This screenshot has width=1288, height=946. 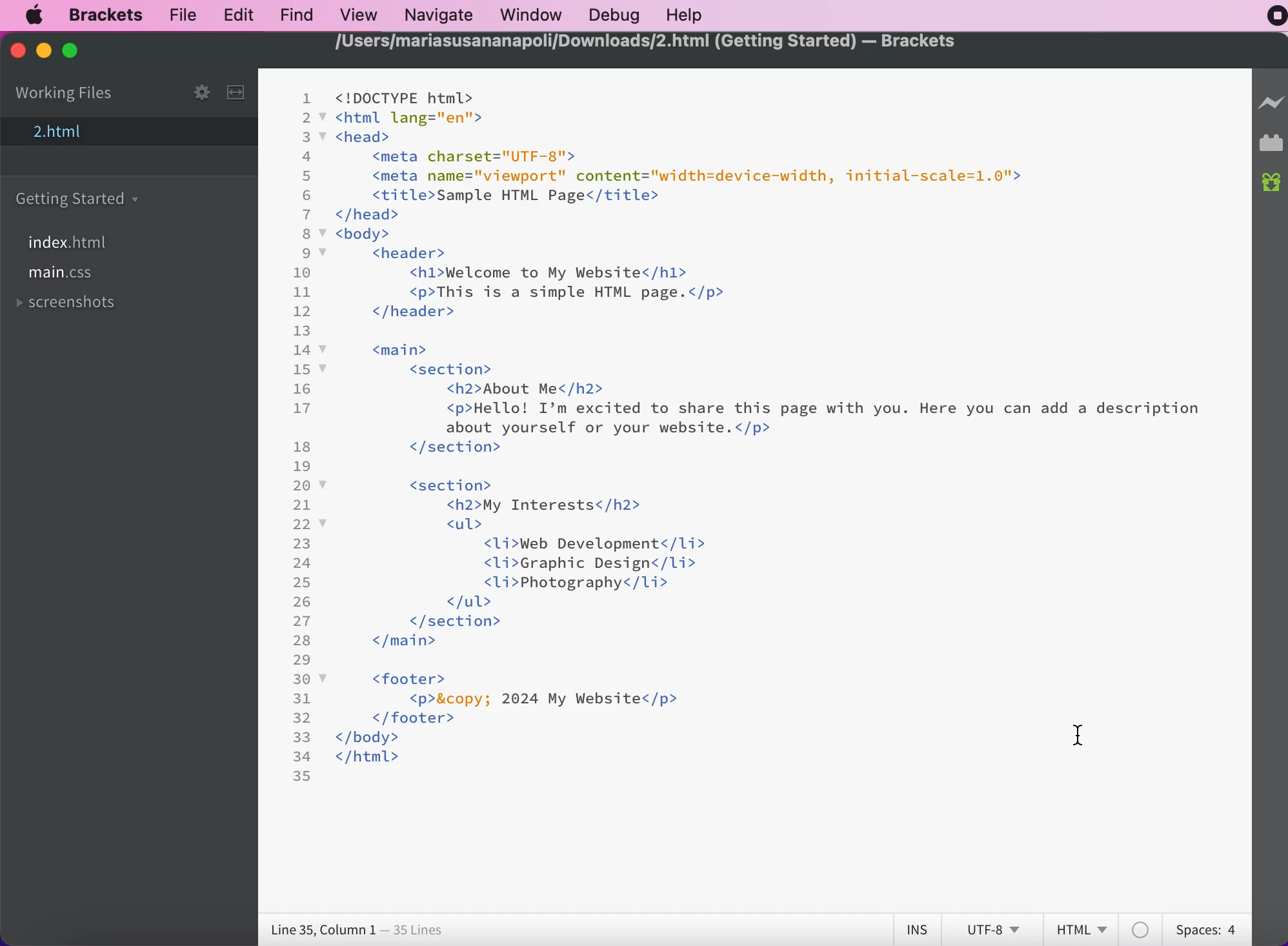 I want to click on 25, so click(x=303, y=583).